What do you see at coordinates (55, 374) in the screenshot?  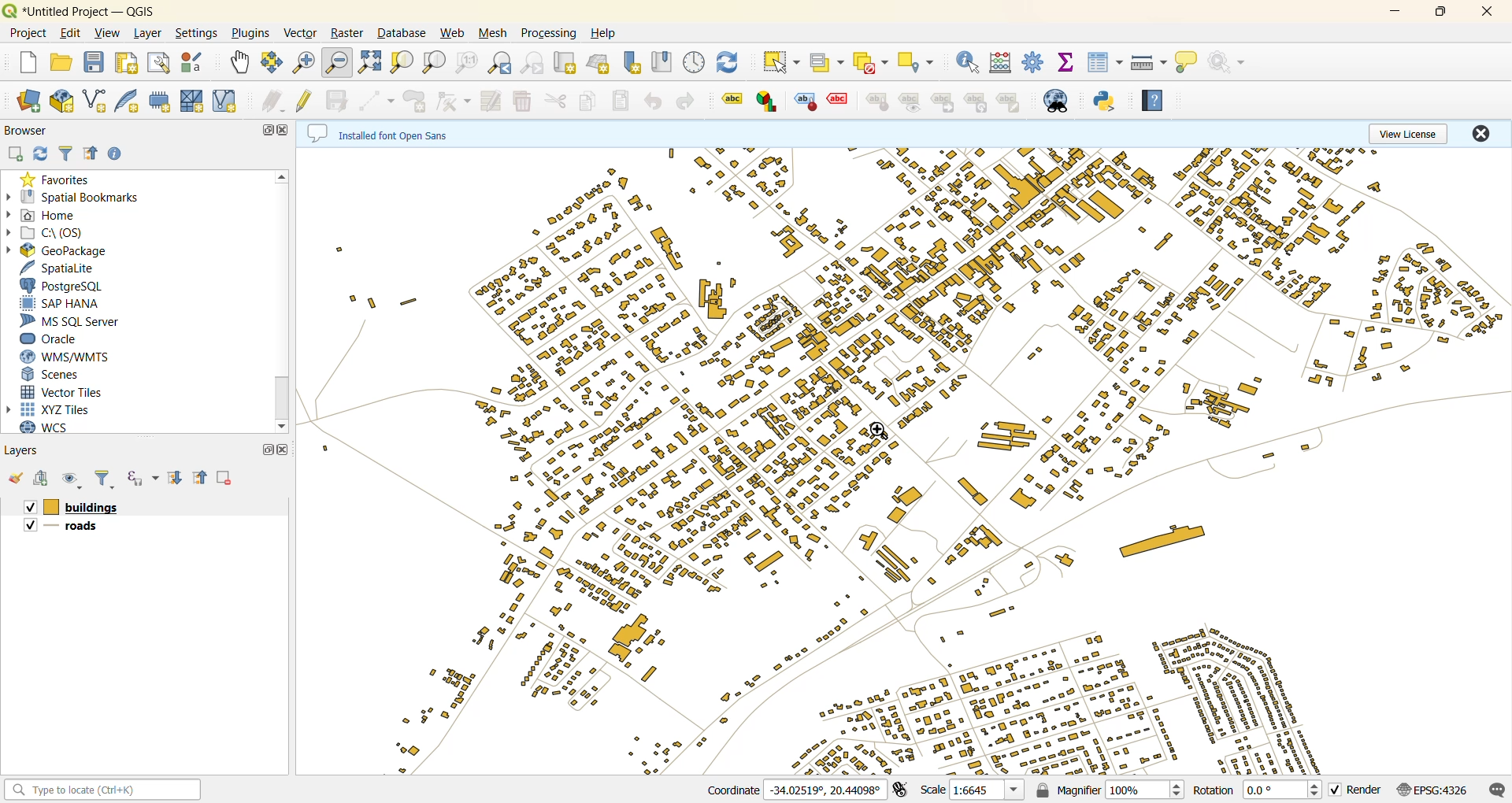 I see `scenes` at bounding box center [55, 374].